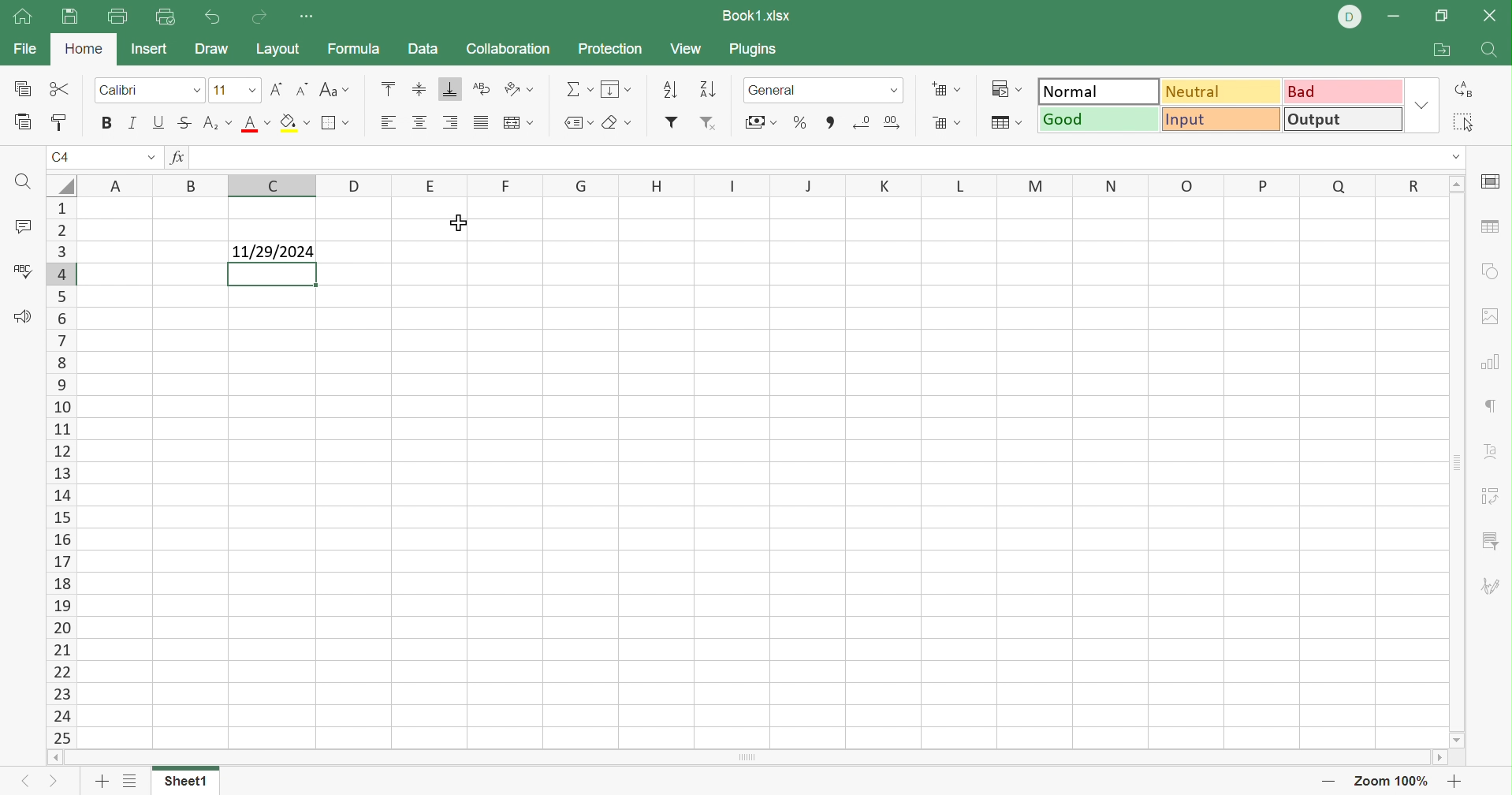  I want to click on Input, so click(1220, 120).